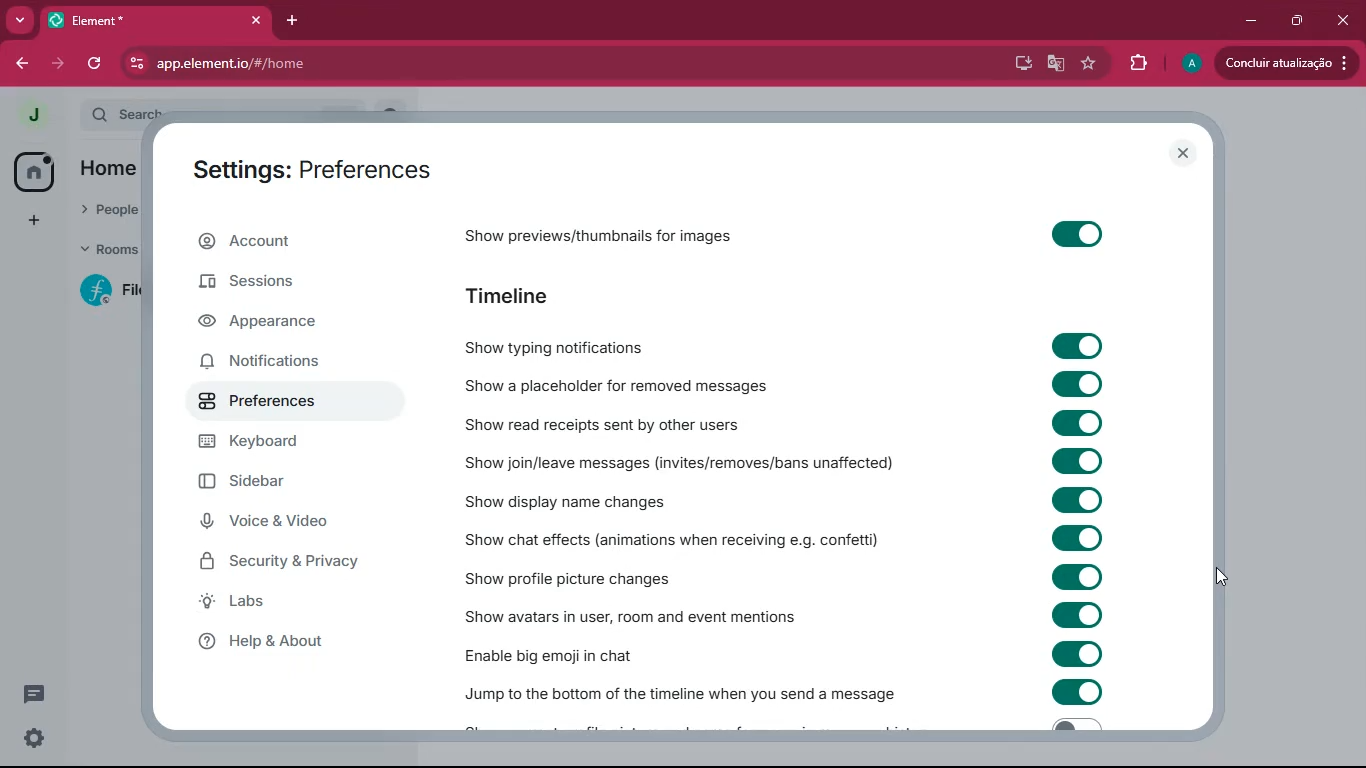 The height and width of the screenshot is (768, 1366). Describe the element at coordinates (291, 563) in the screenshot. I see `security & privacy` at that location.